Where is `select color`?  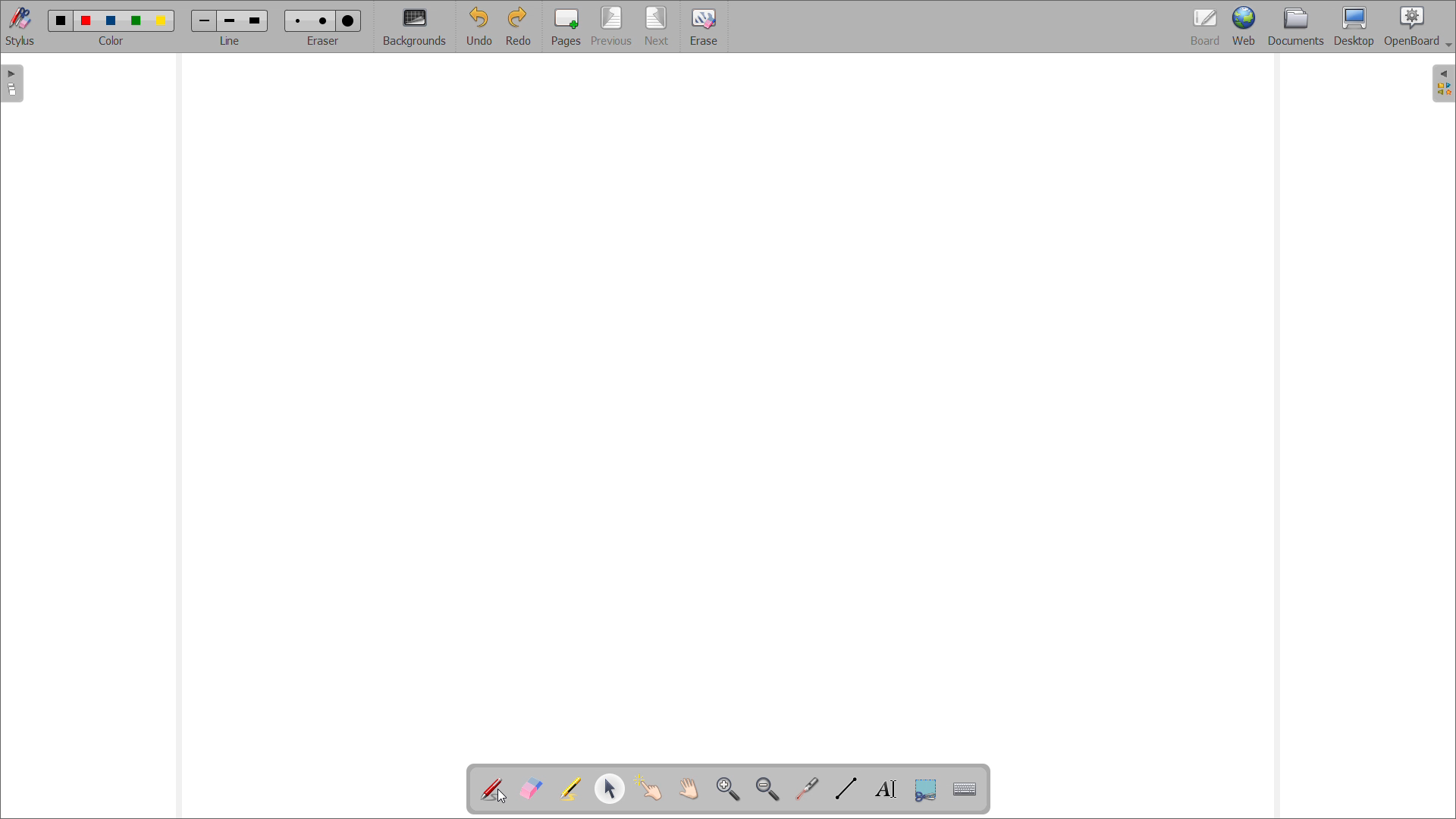 select color is located at coordinates (110, 41).